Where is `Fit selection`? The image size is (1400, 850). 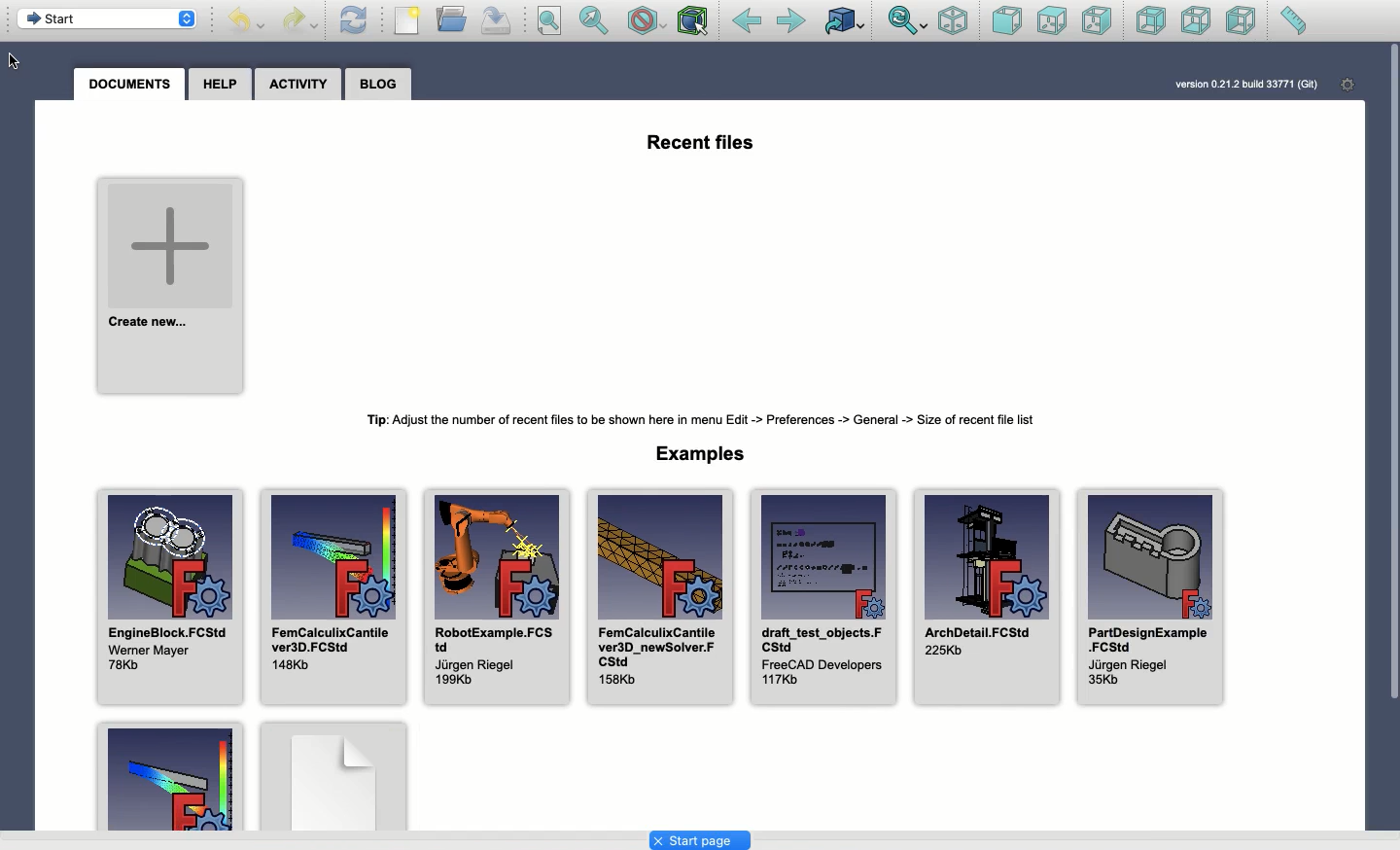 Fit selection is located at coordinates (593, 20).